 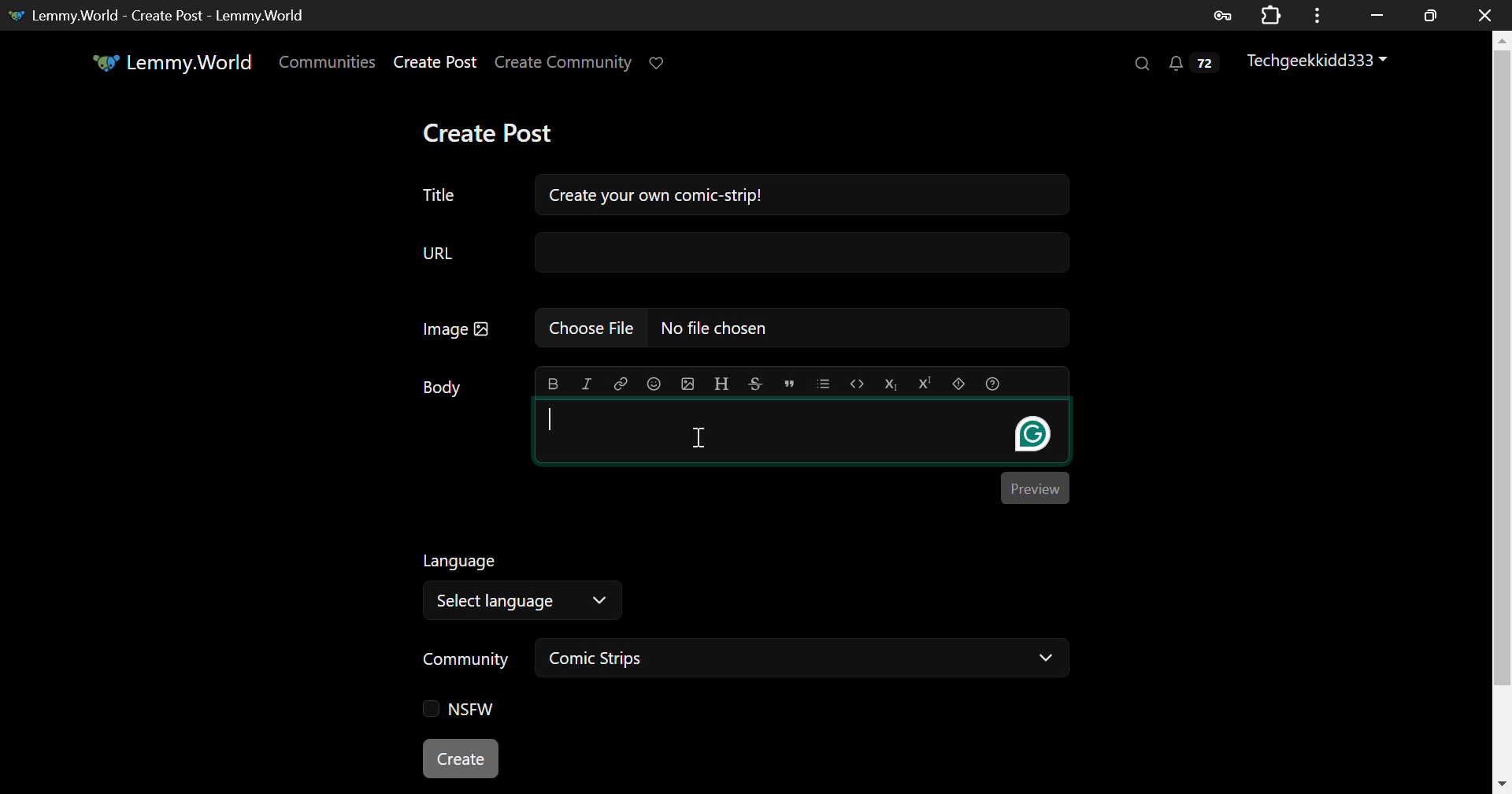 What do you see at coordinates (925, 385) in the screenshot?
I see `Superscript` at bounding box center [925, 385].